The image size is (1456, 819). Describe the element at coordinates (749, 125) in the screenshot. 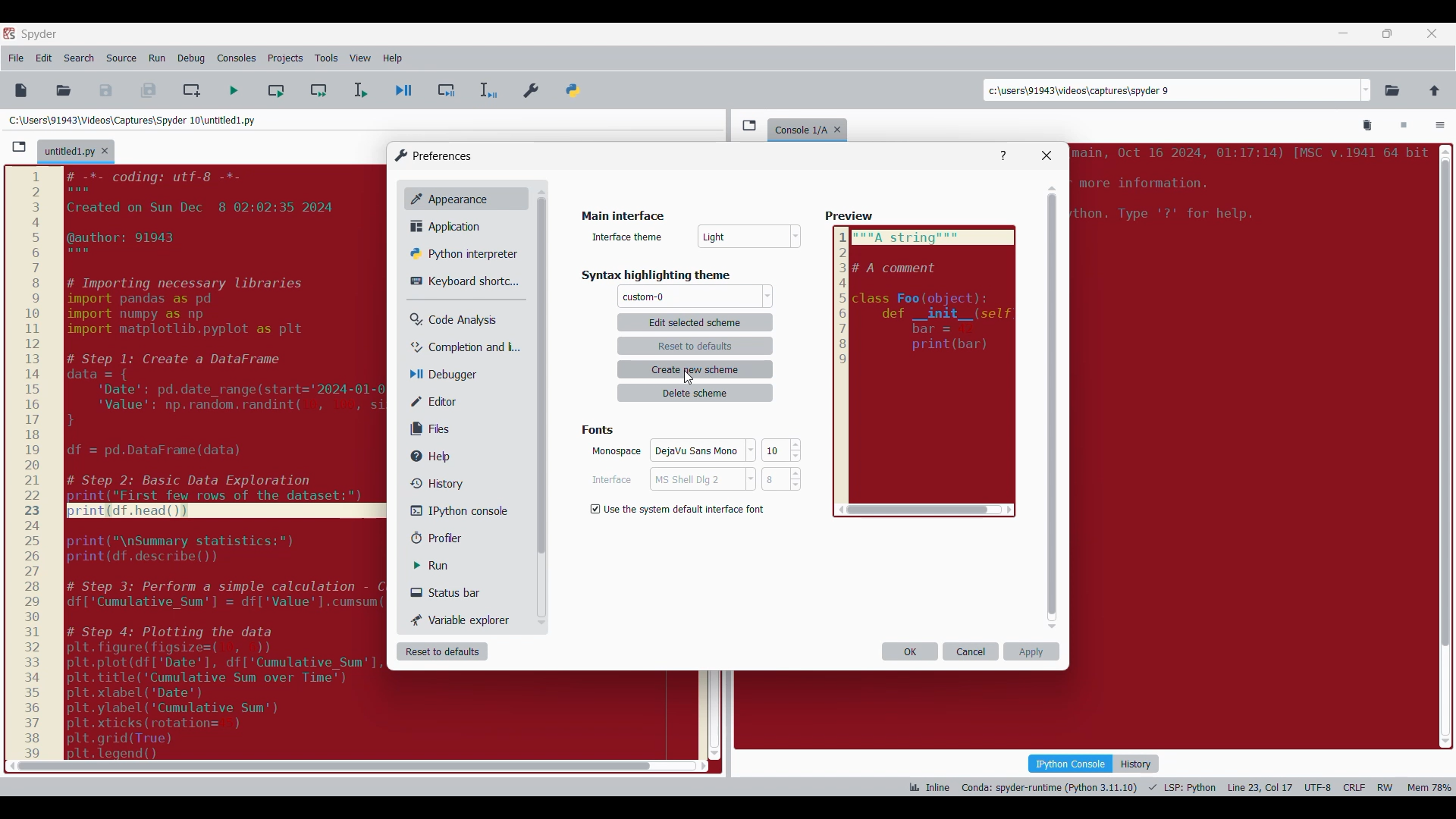

I see `Browse tabs` at that location.